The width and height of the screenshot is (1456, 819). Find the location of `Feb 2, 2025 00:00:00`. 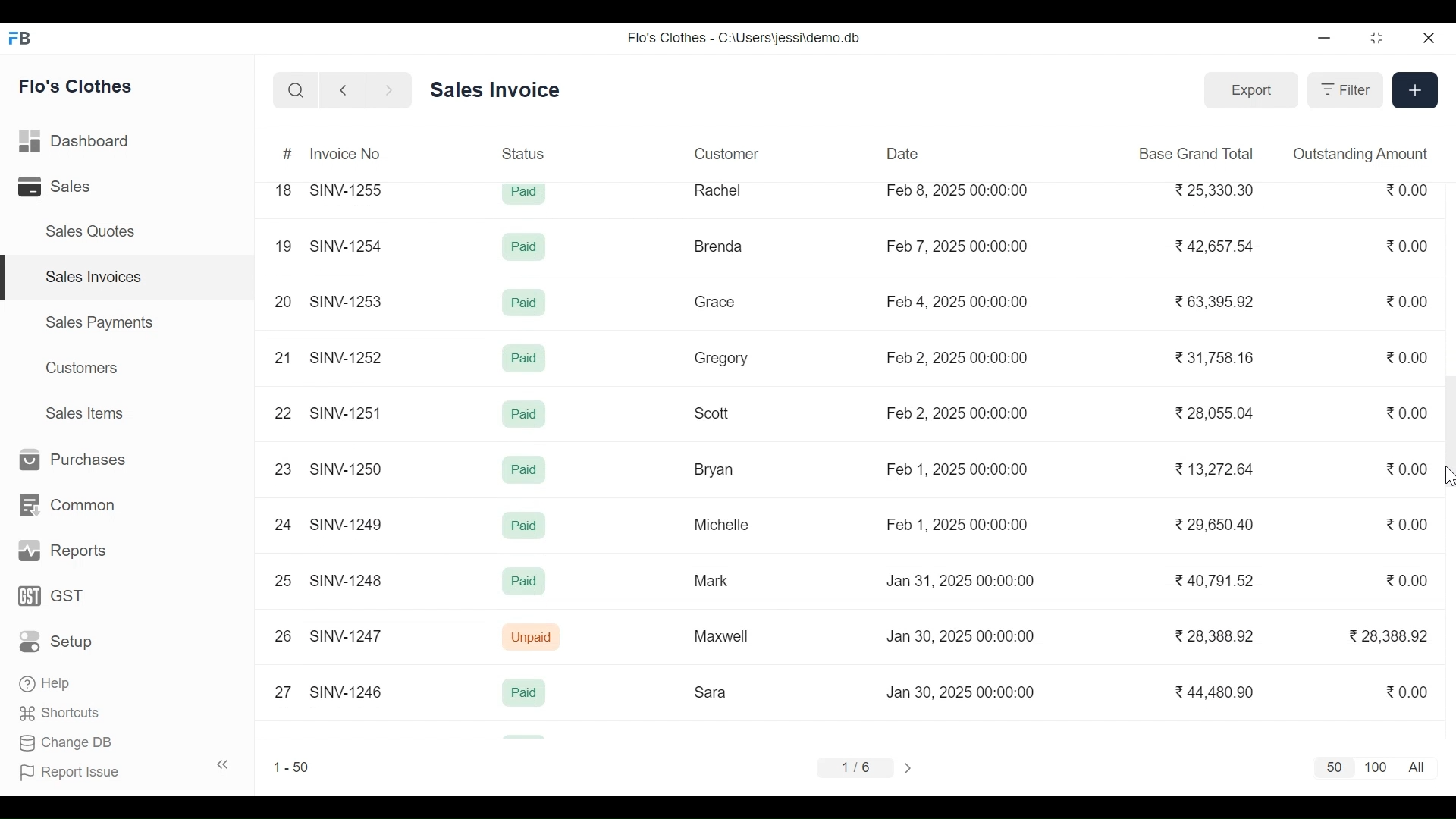

Feb 2, 2025 00:00:00 is located at coordinates (957, 358).